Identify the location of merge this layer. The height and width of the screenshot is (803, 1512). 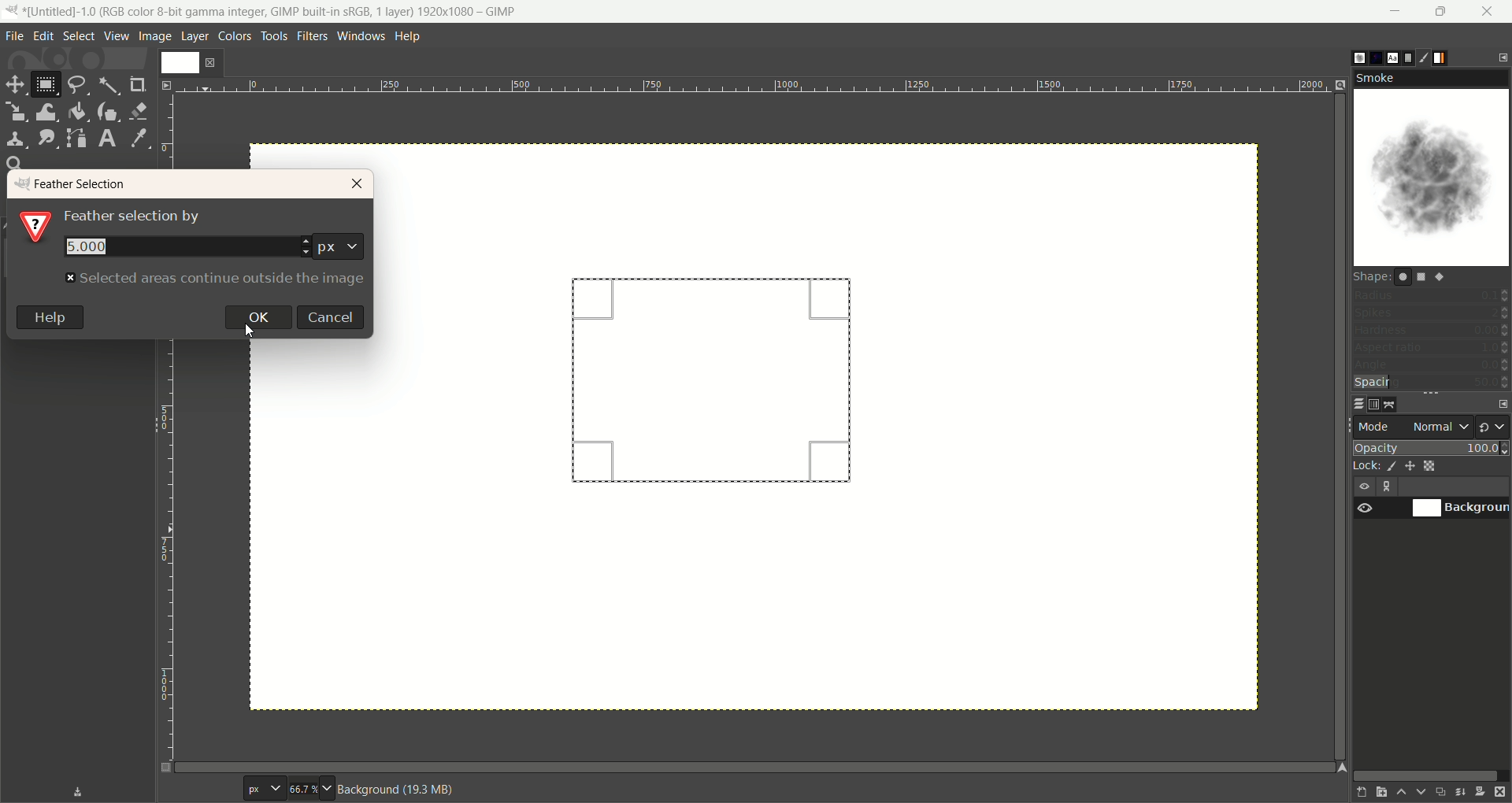
(1458, 792).